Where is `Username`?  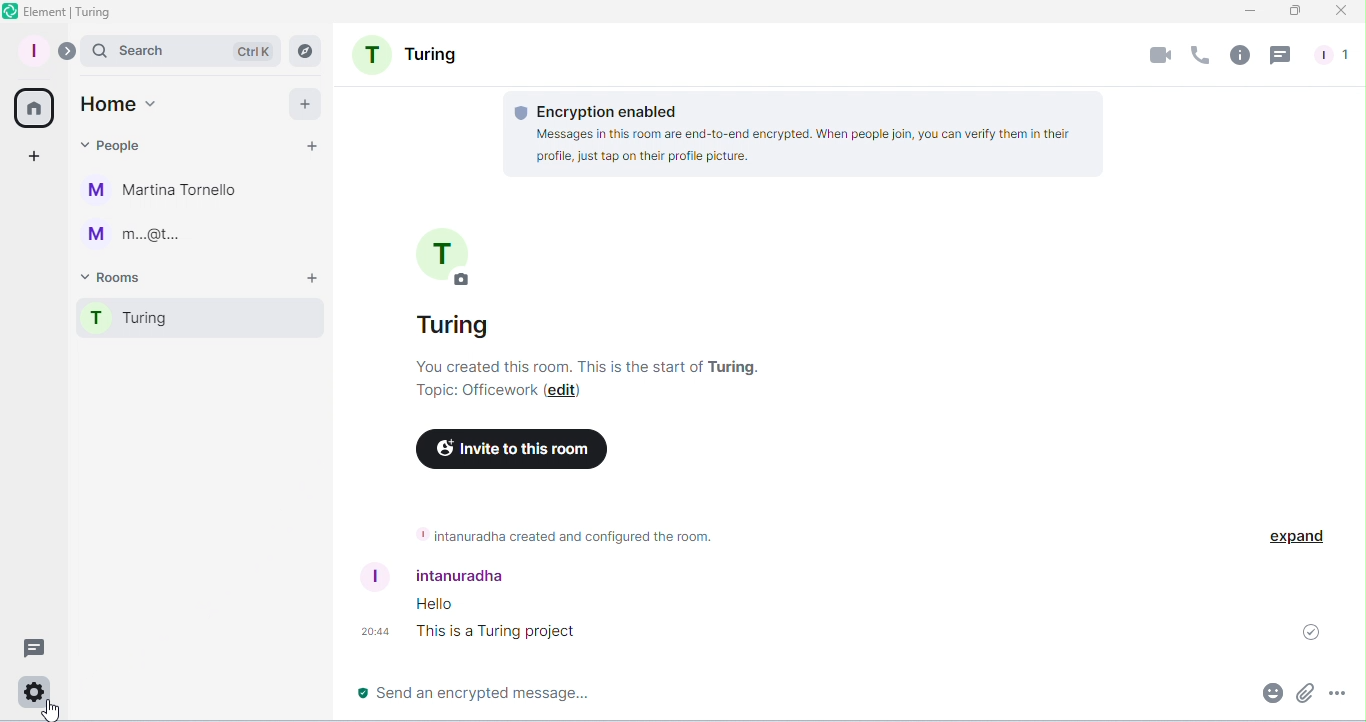
Username is located at coordinates (439, 575).